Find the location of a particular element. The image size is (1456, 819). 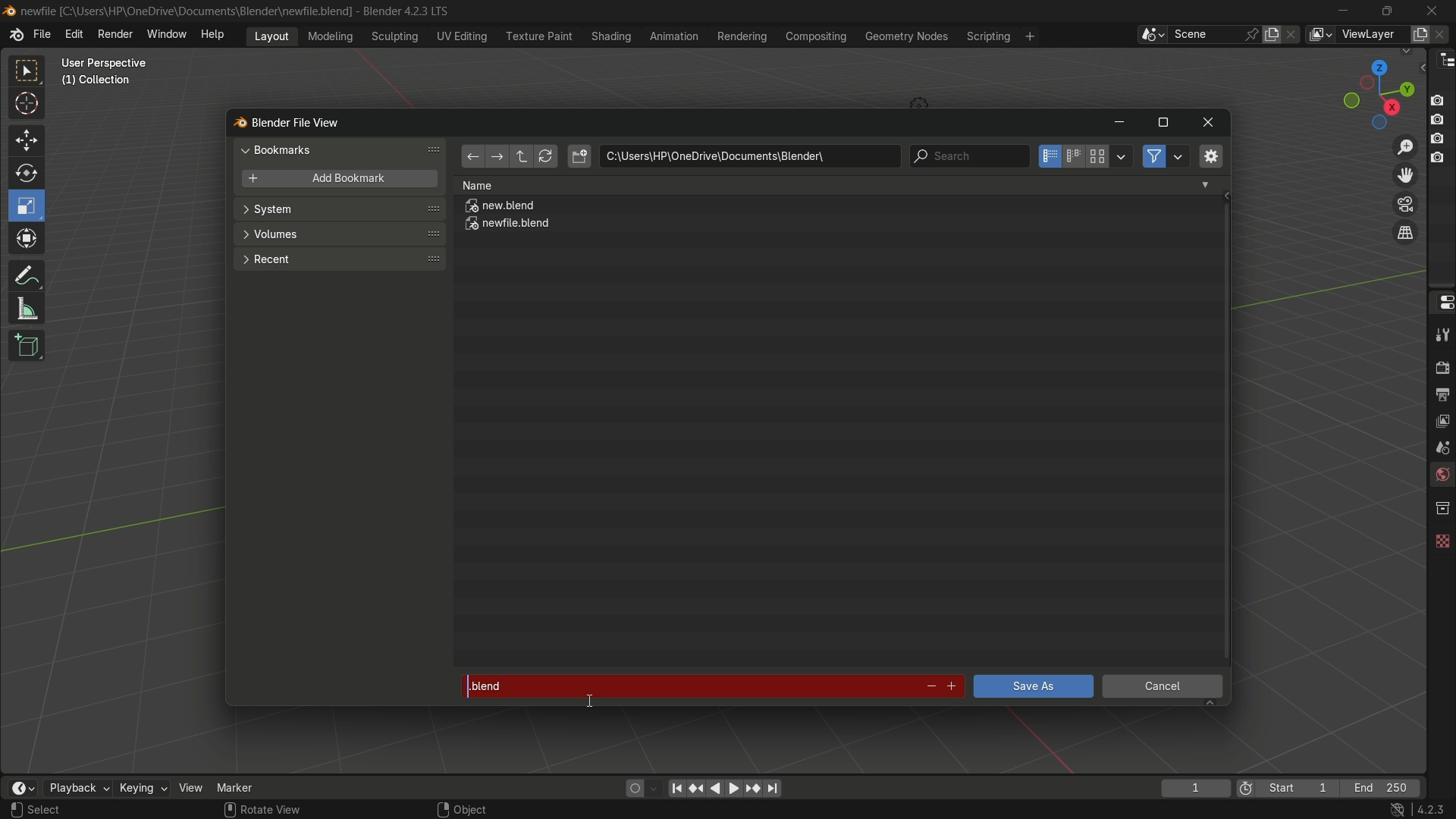

location is located at coordinates (749, 156).